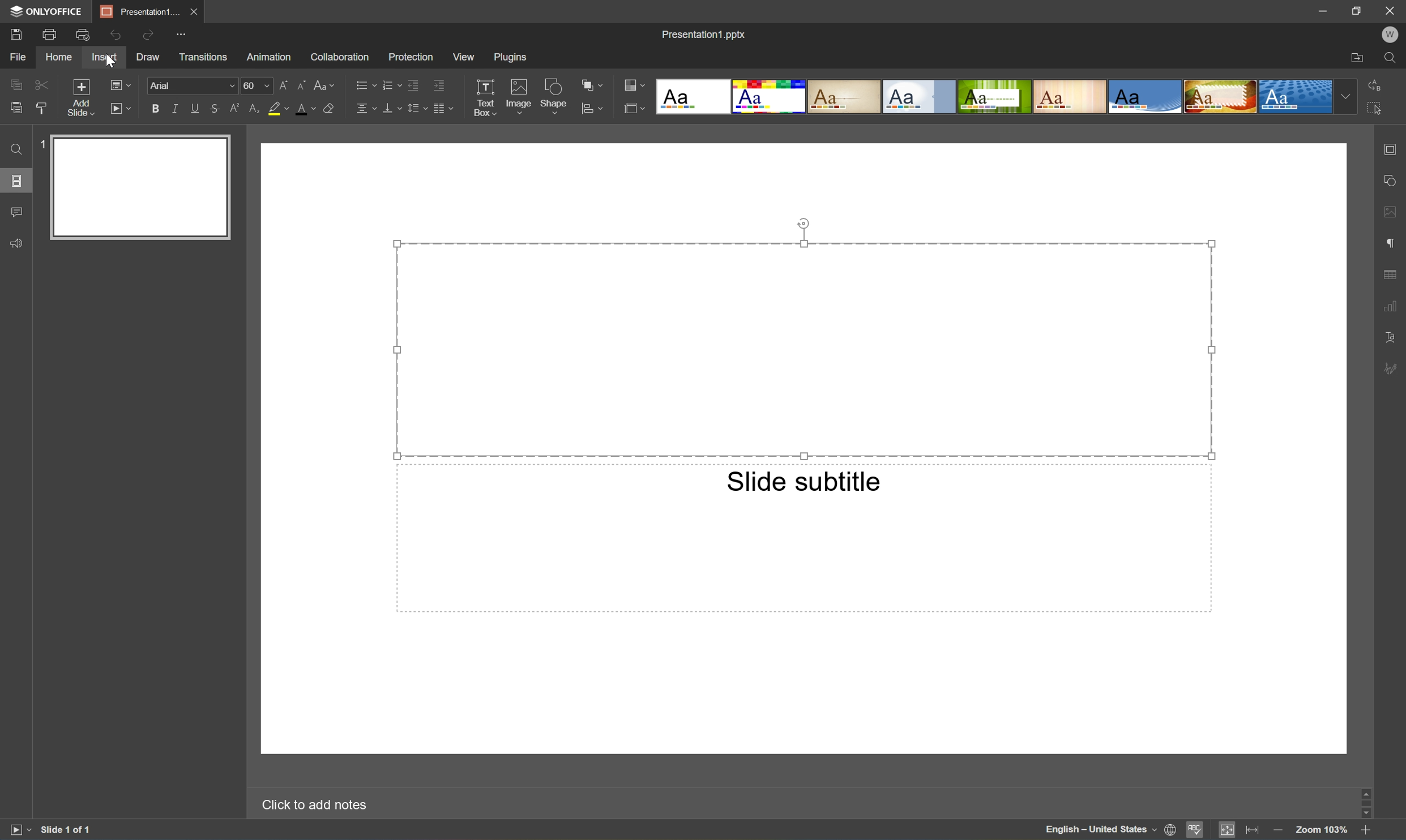  Describe the element at coordinates (17, 34) in the screenshot. I see `Save` at that location.